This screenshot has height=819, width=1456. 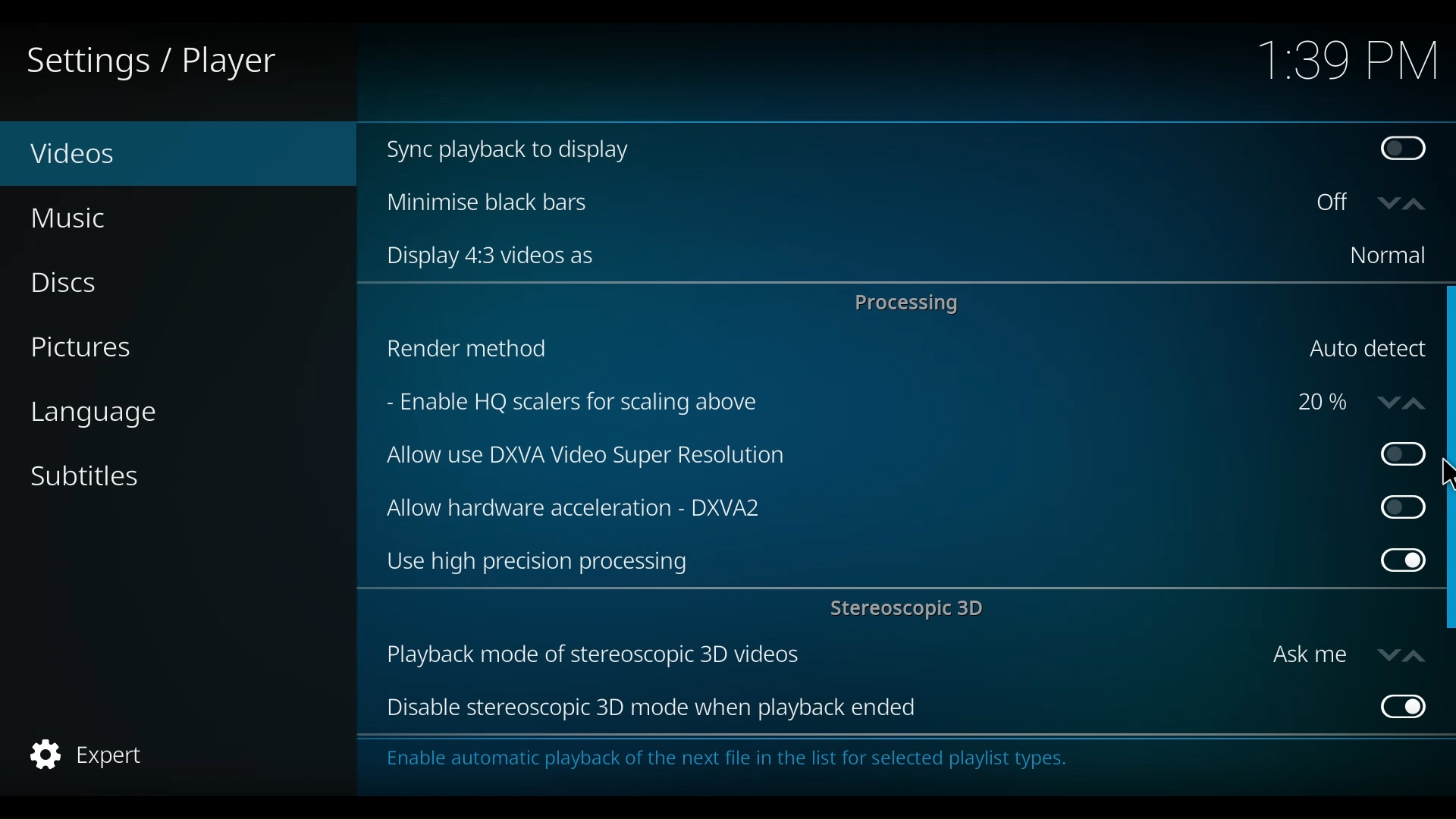 I want to click on Allow hardware acceleration -DXVA2, so click(x=864, y=506).